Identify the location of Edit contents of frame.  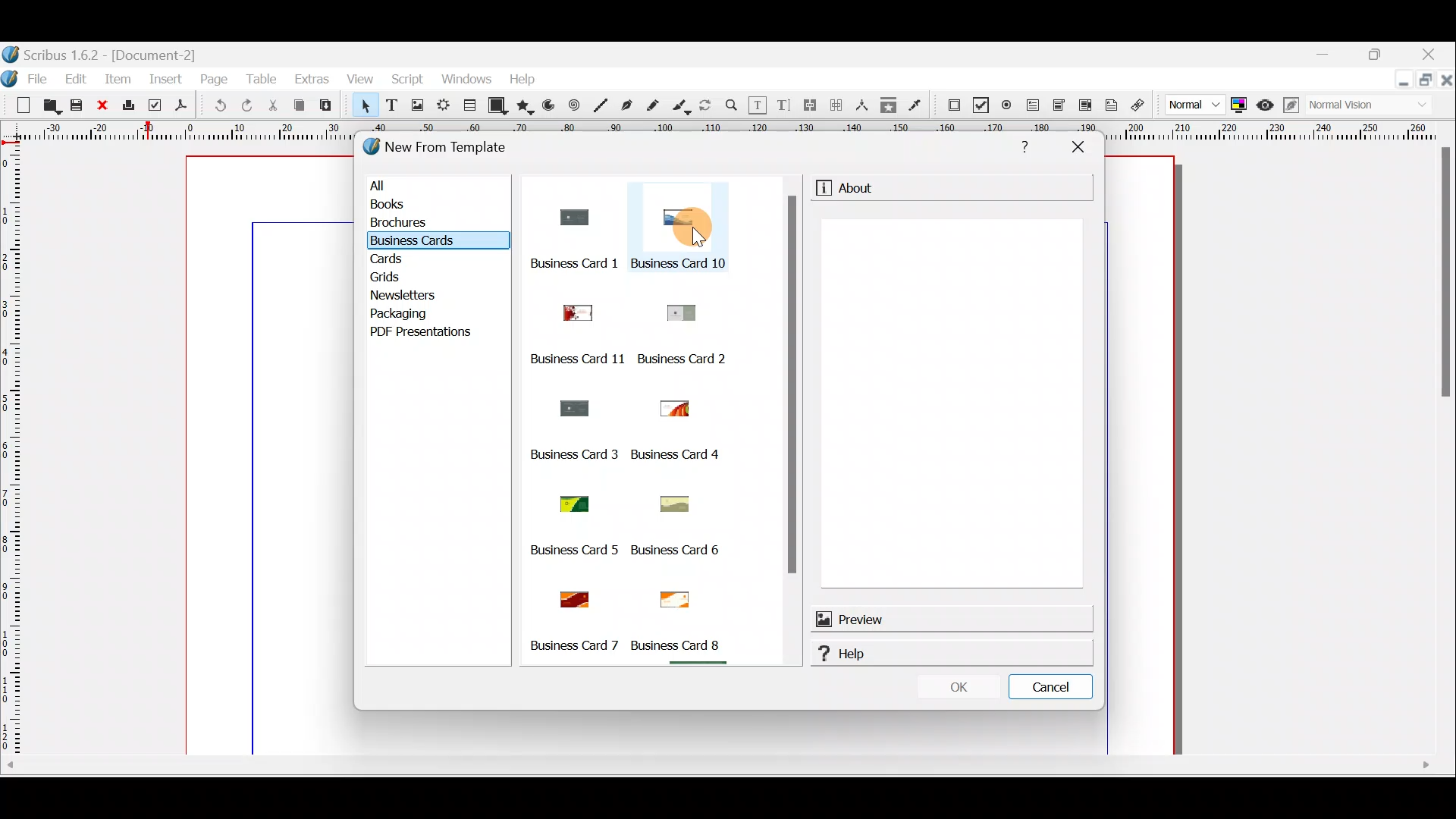
(759, 106).